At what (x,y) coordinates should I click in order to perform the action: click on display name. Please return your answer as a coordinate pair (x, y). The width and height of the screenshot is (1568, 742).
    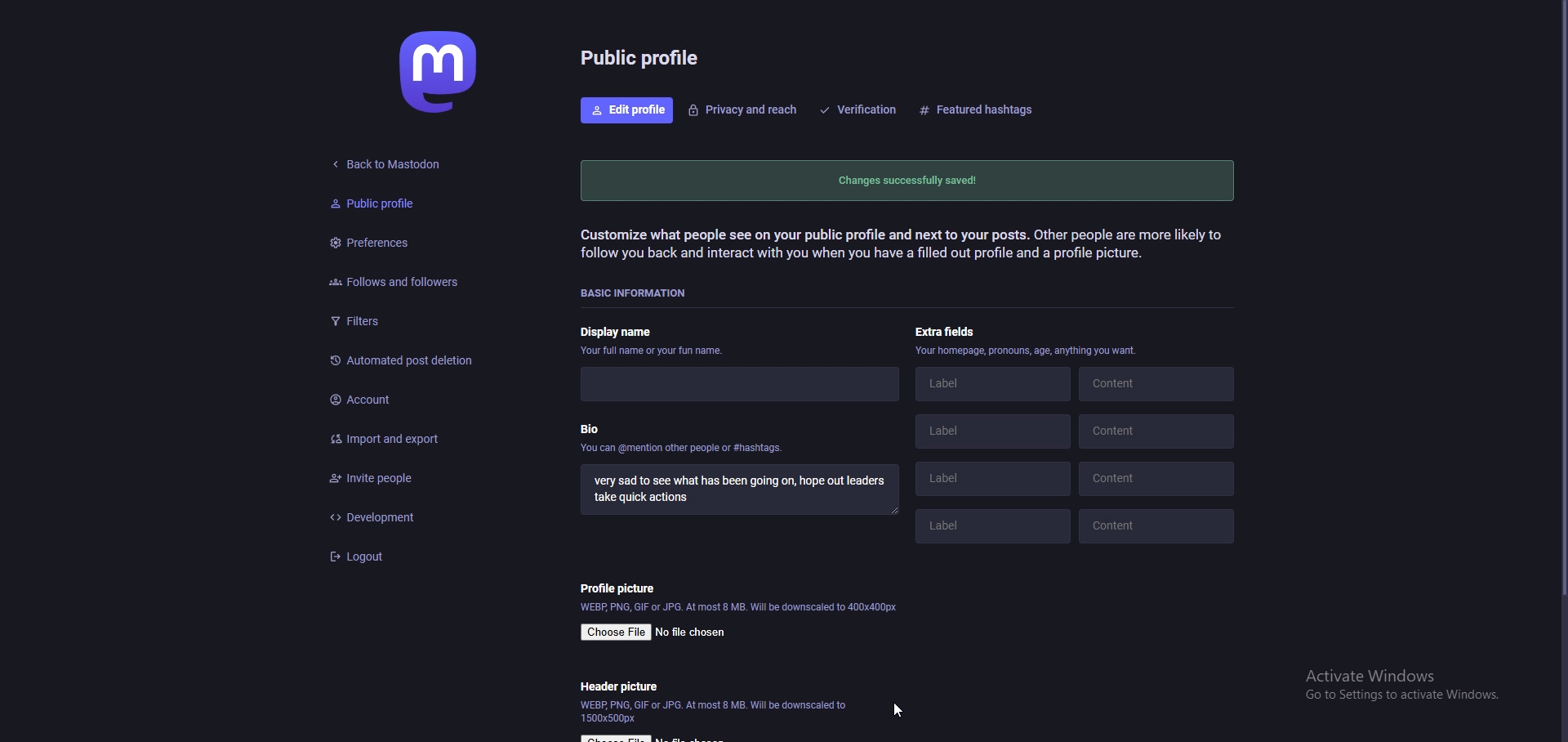
    Looking at the image, I should click on (649, 331).